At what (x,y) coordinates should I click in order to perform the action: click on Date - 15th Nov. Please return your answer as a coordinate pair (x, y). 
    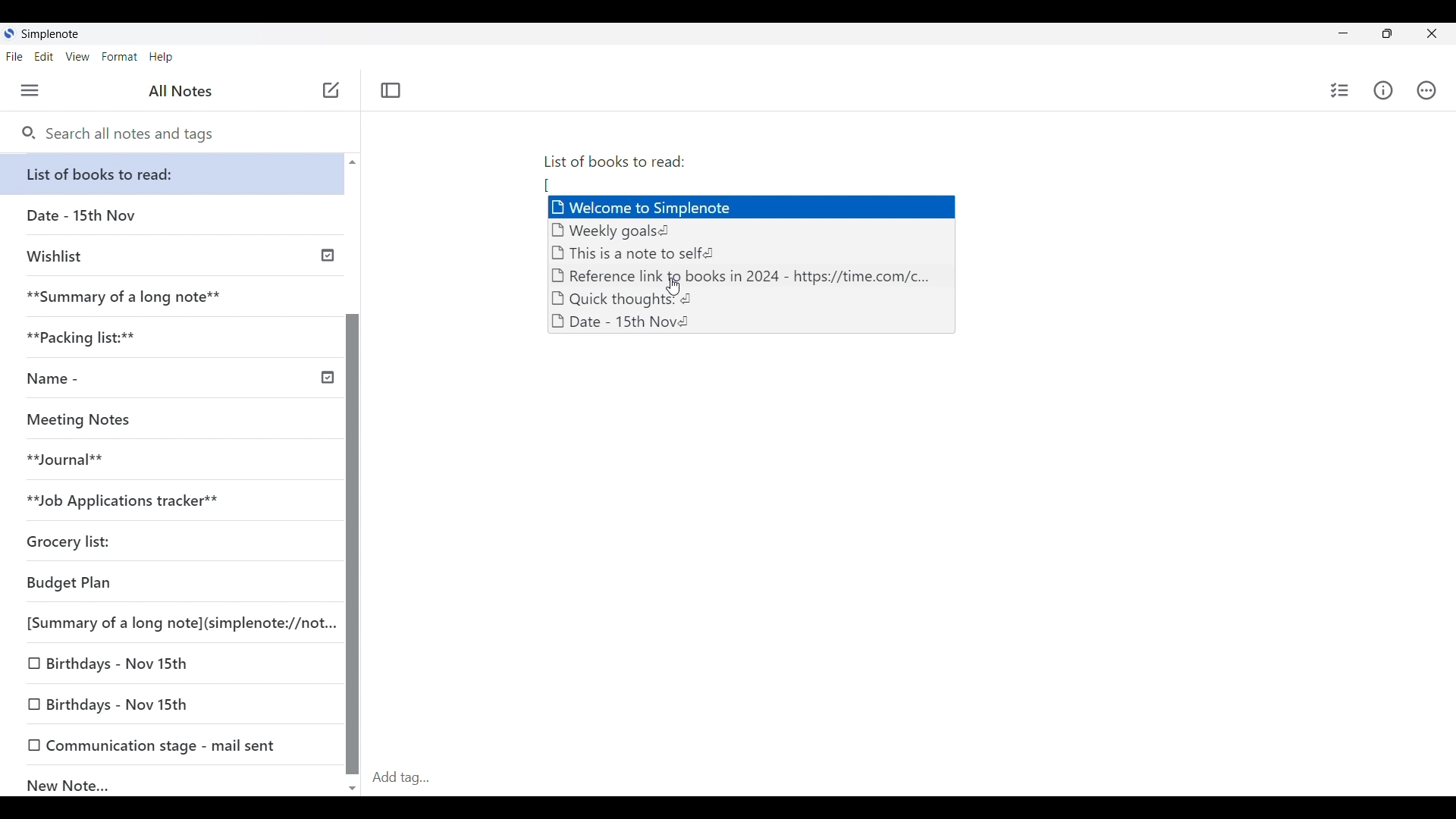
    Looking at the image, I should click on (173, 215).